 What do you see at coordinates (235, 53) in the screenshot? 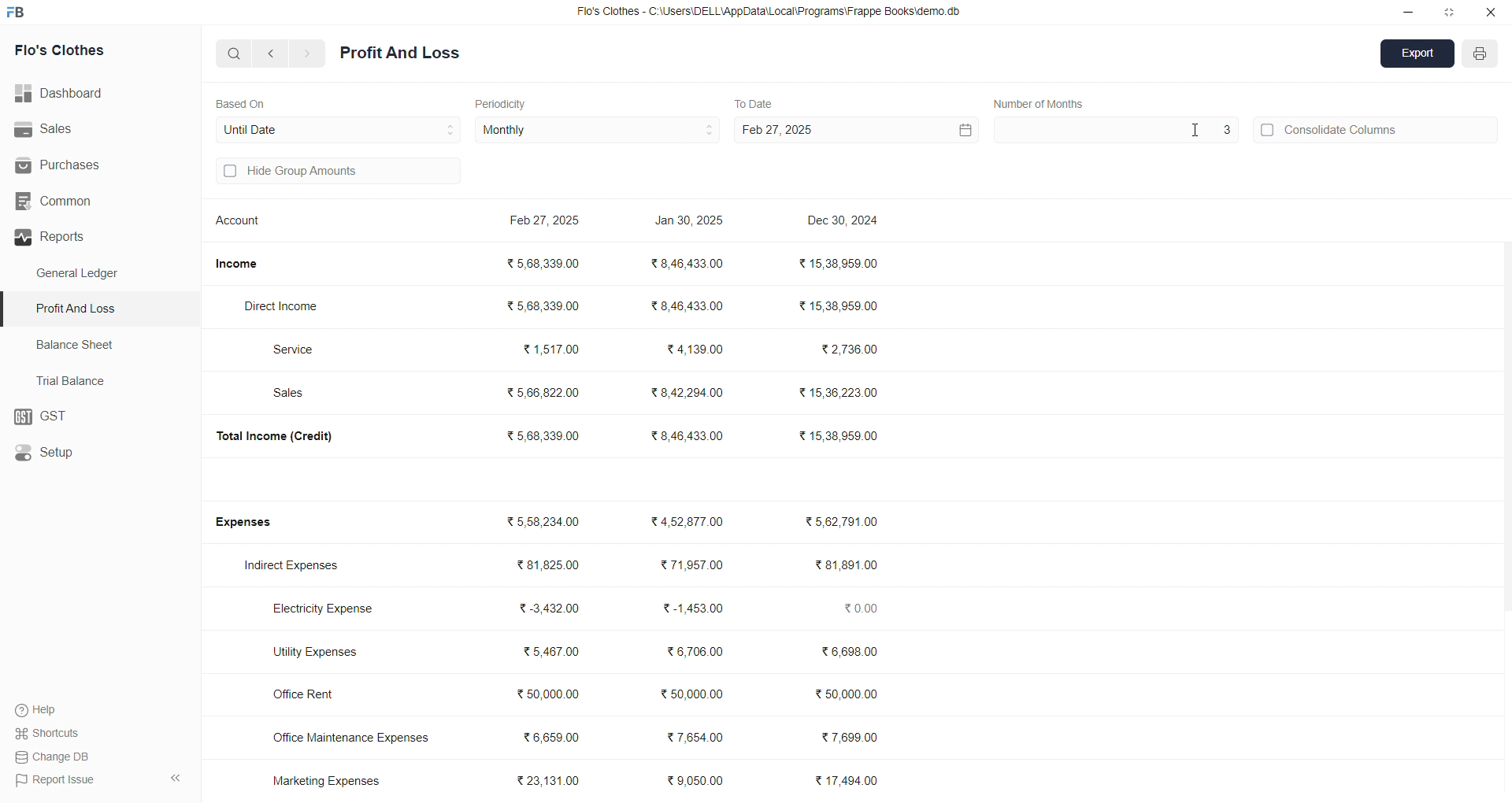
I see `search` at bounding box center [235, 53].